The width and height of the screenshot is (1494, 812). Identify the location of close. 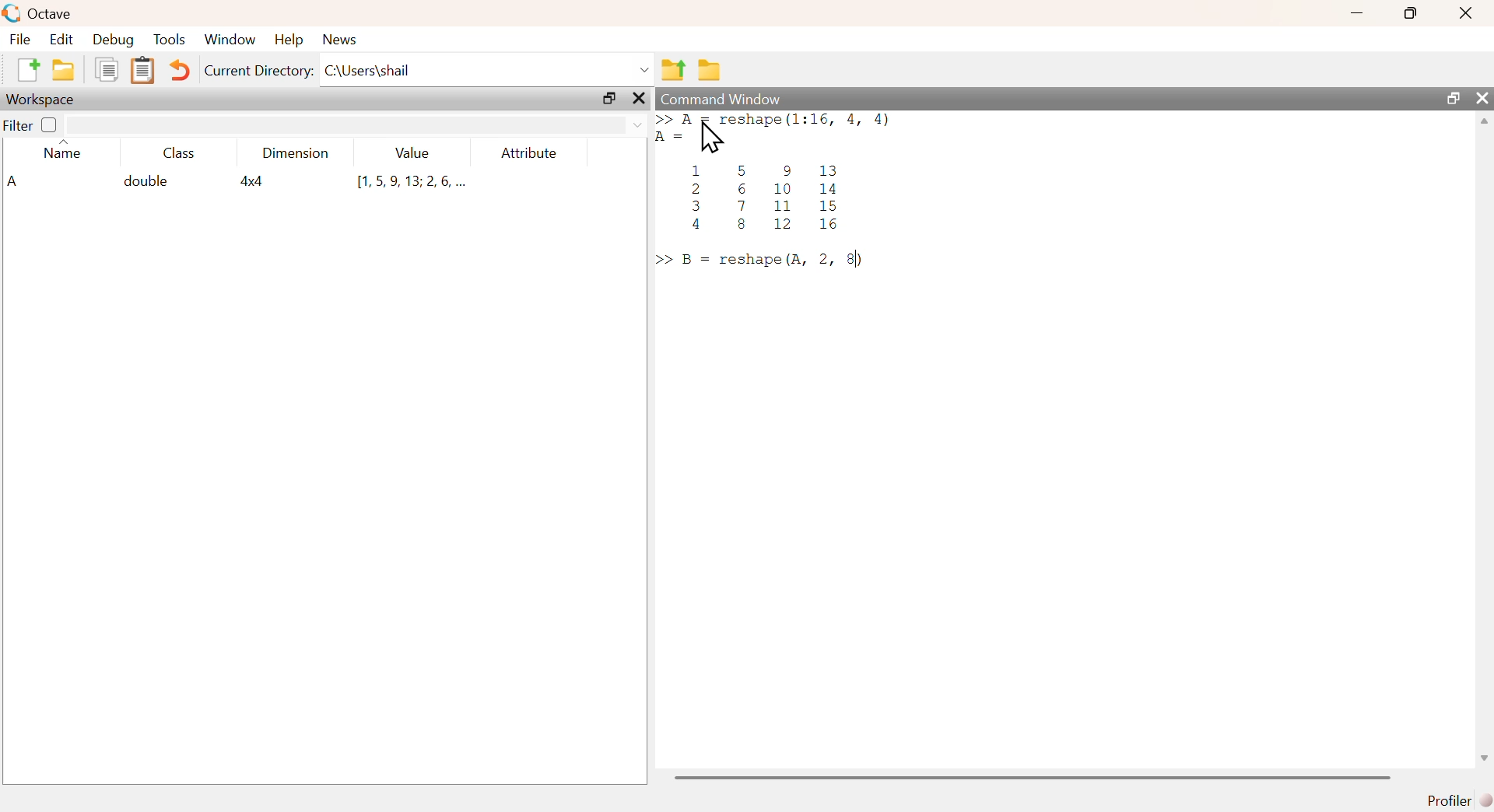
(1484, 99).